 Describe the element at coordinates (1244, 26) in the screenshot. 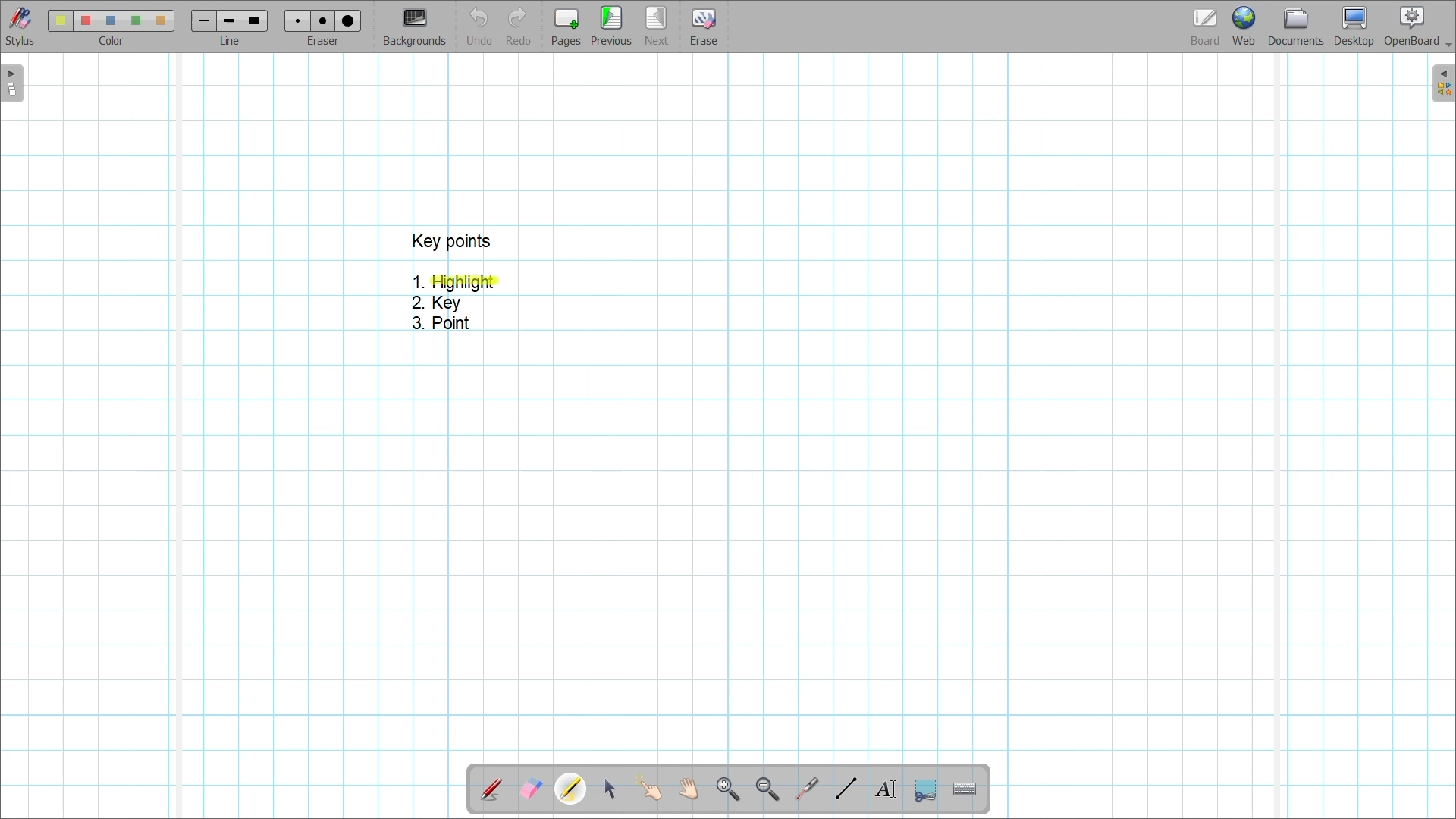

I see `Web` at that location.